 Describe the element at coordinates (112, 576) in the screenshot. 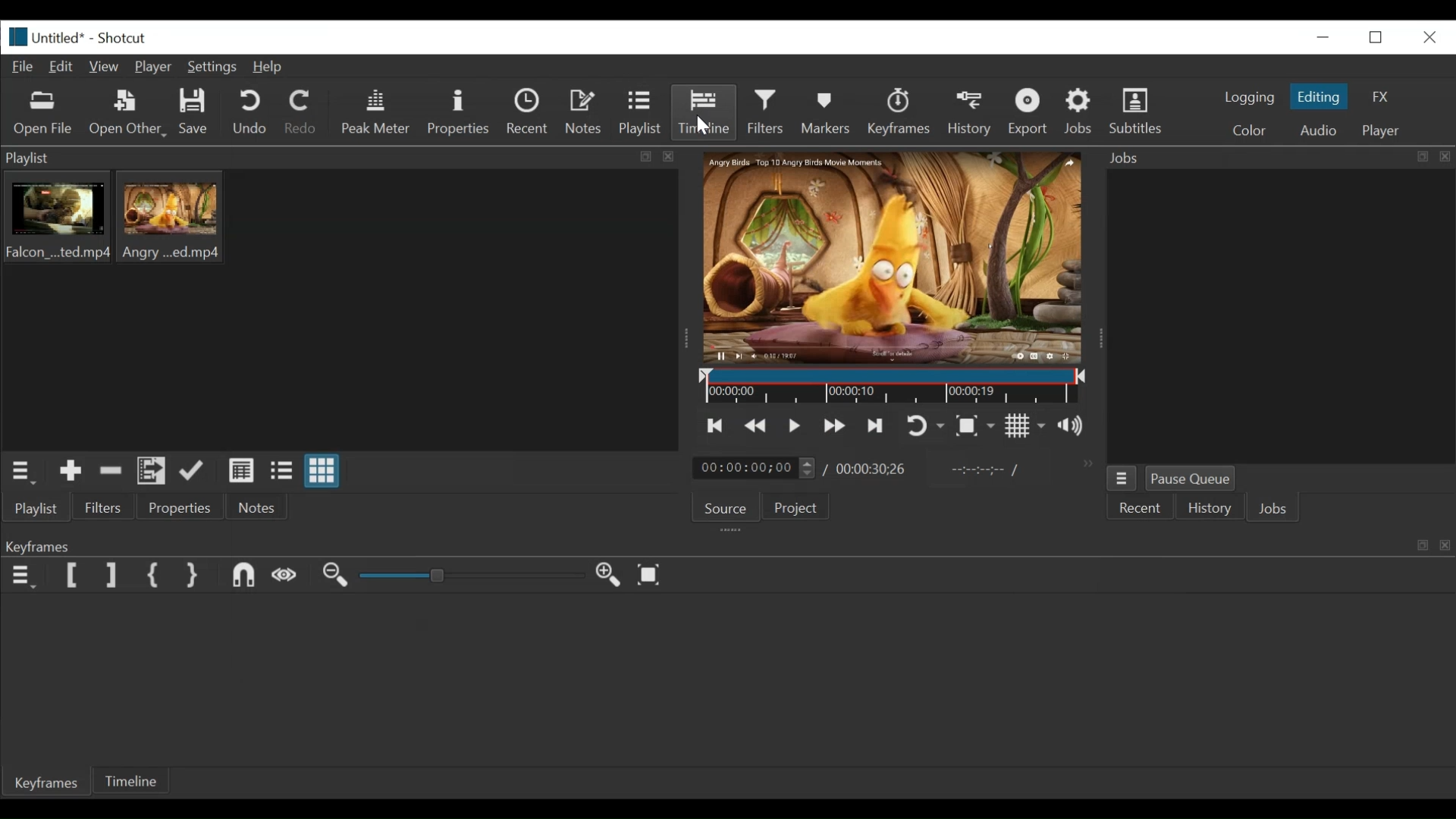

I see `Set Filter last` at that location.